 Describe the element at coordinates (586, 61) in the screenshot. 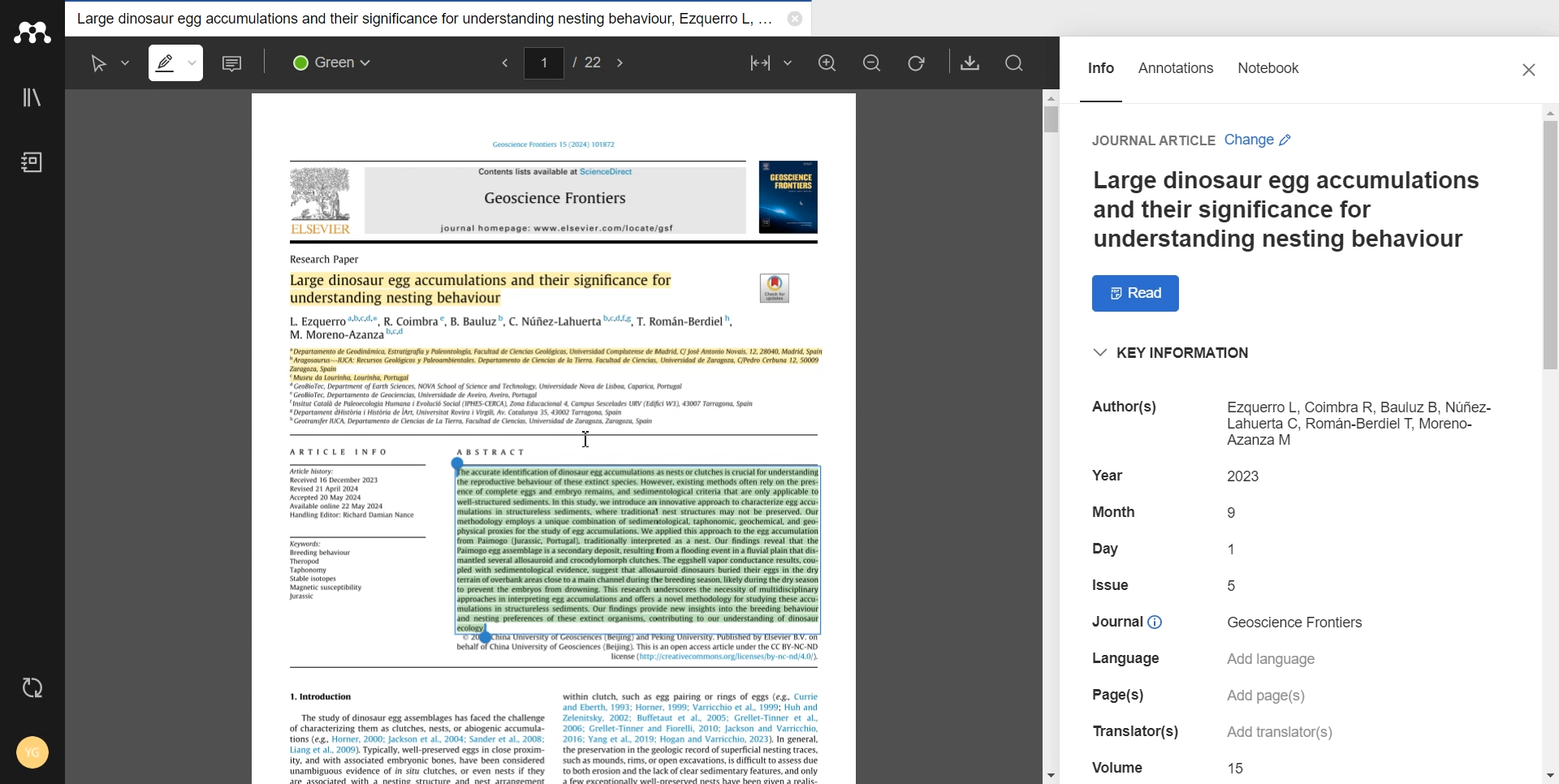

I see `/22` at that location.